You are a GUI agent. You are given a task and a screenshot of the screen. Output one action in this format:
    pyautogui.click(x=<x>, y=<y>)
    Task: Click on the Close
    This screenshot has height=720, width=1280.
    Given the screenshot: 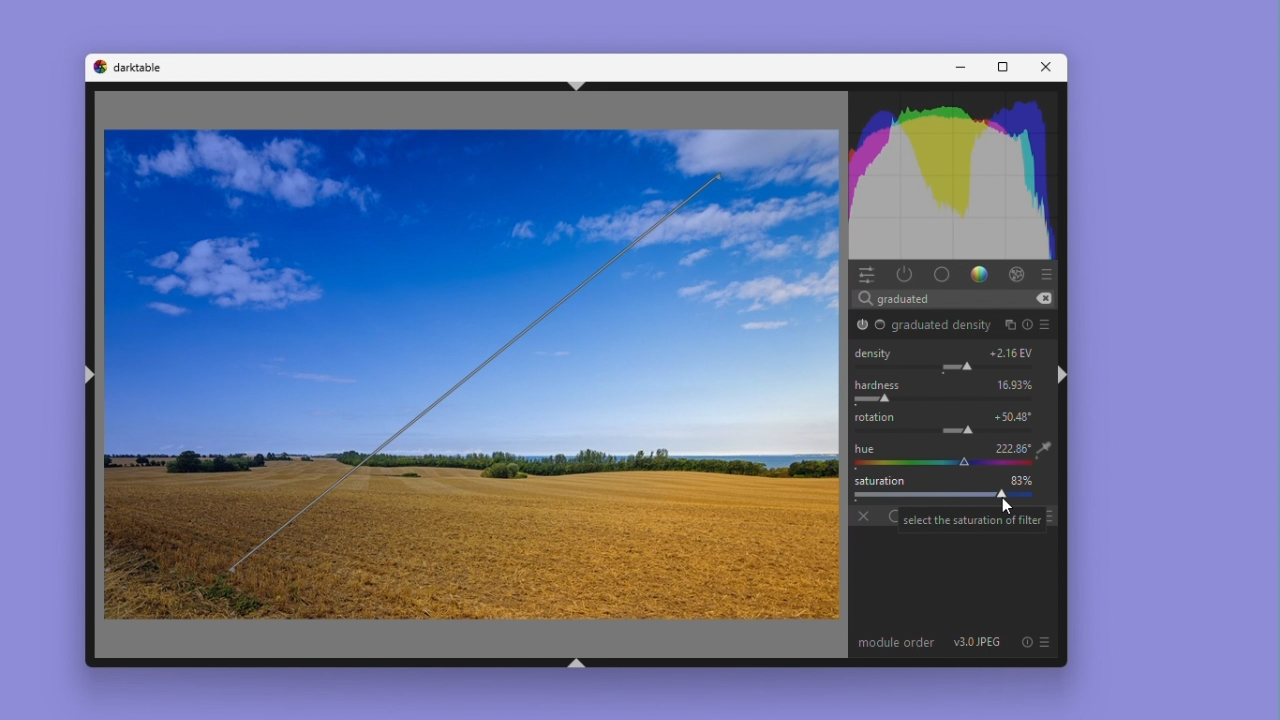 What is the action you would take?
    pyautogui.click(x=1043, y=67)
    